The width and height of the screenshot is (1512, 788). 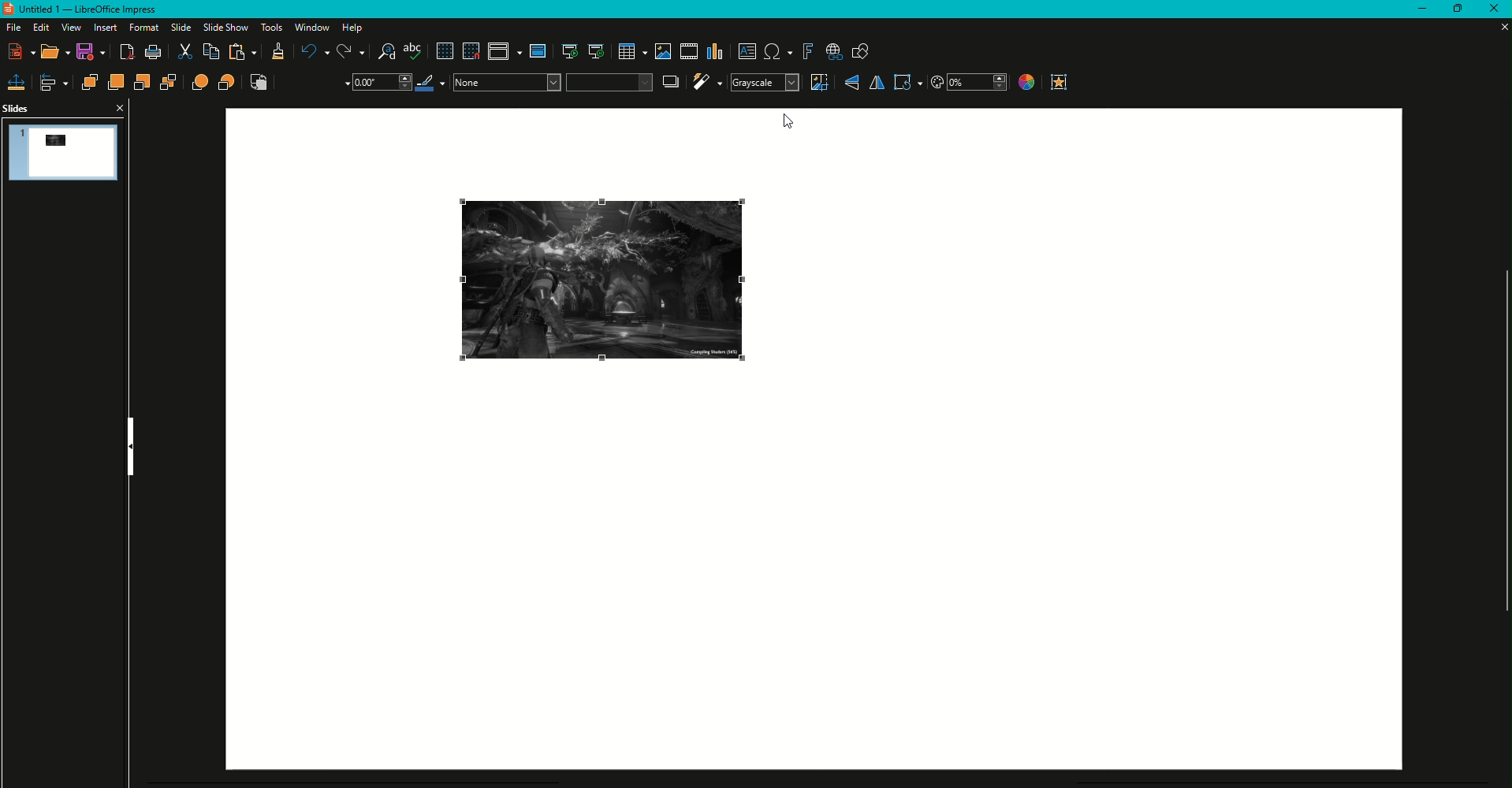 What do you see at coordinates (102, 28) in the screenshot?
I see `Insert` at bounding box center [102, 28].